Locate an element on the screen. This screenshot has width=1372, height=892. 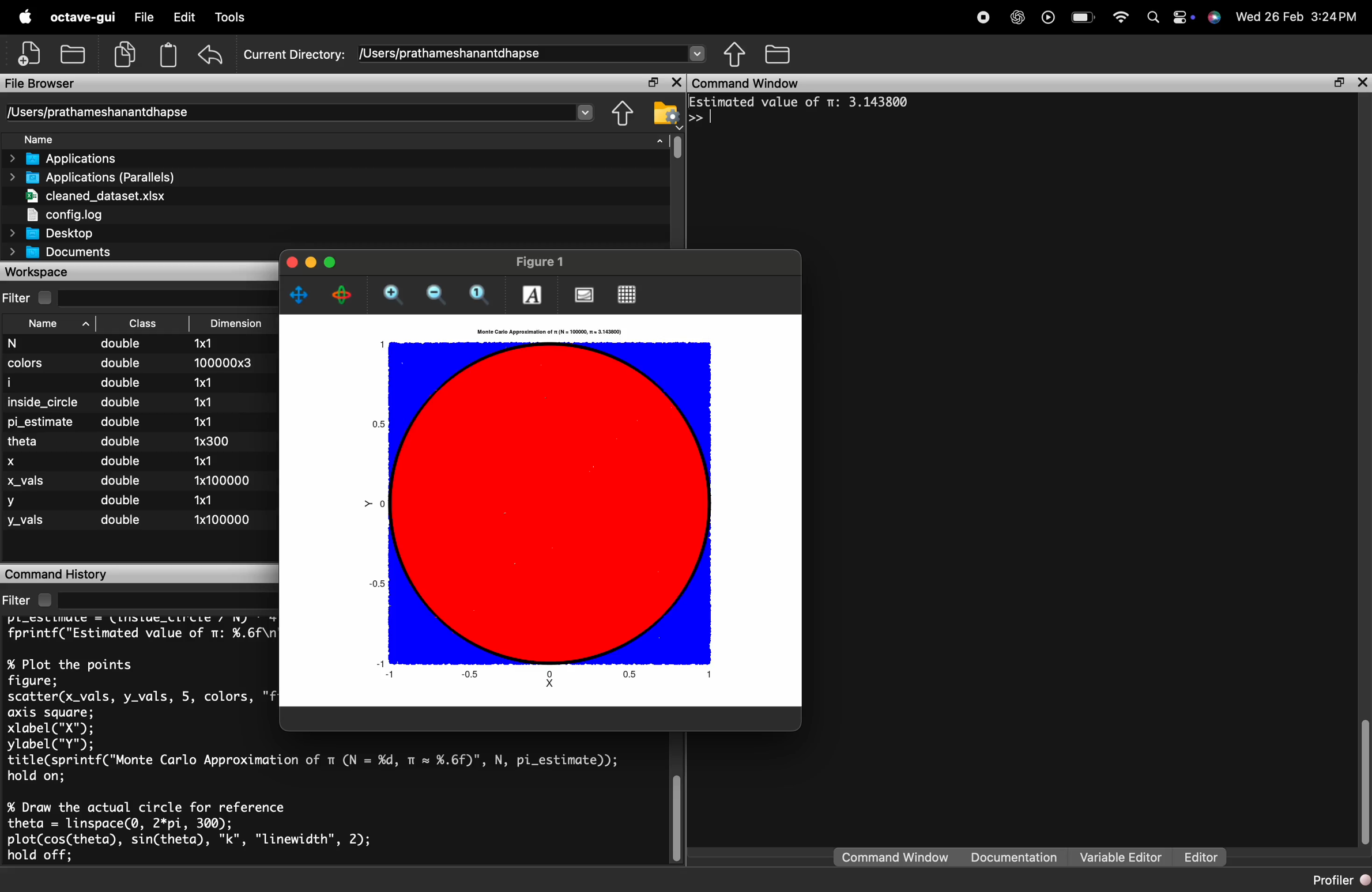
double is located at coordinates (123, 421).